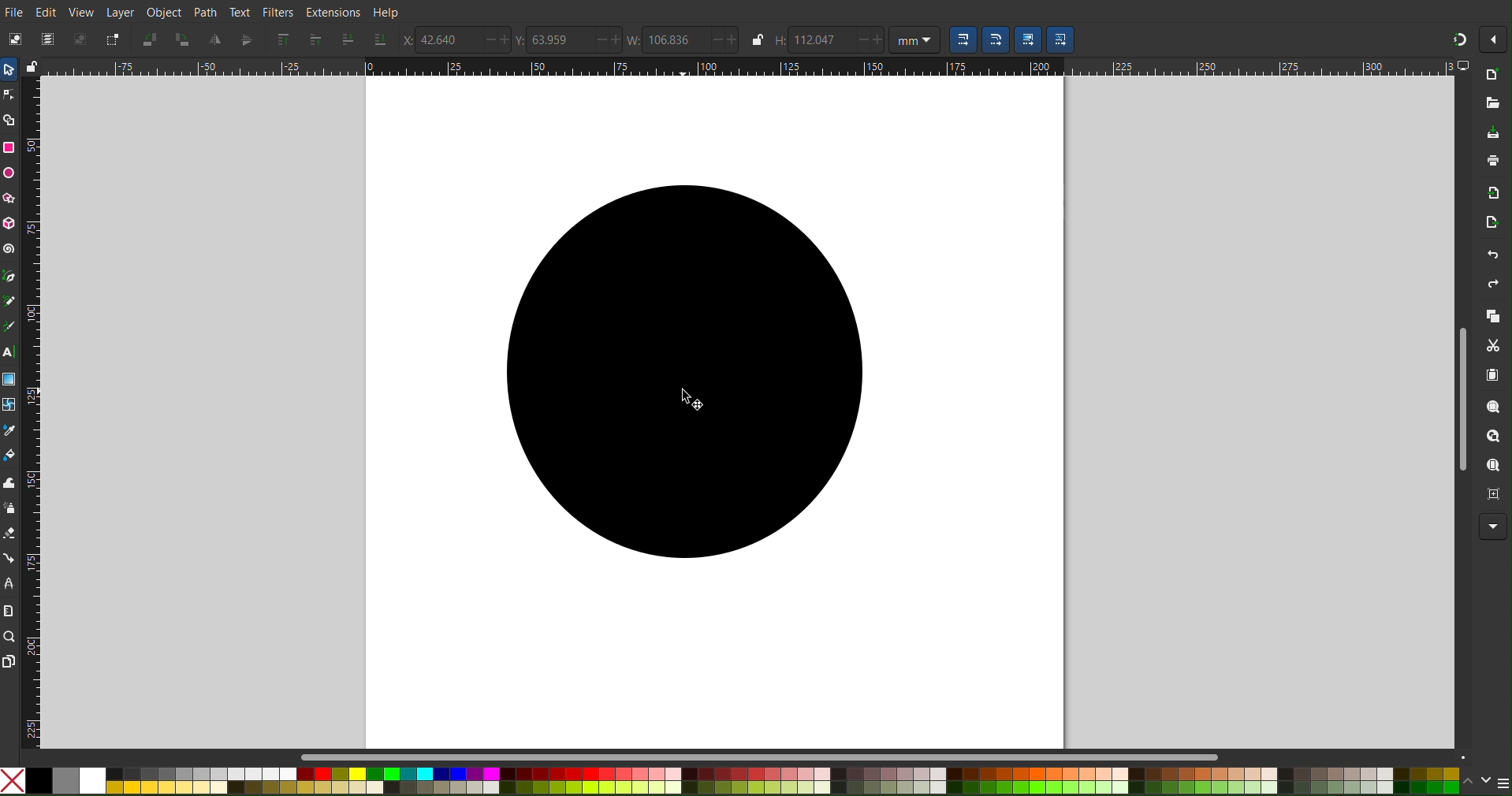 The height and width of the screenshot is (796, 1512). I want to click on Gradient Tool, so click(9, 378).